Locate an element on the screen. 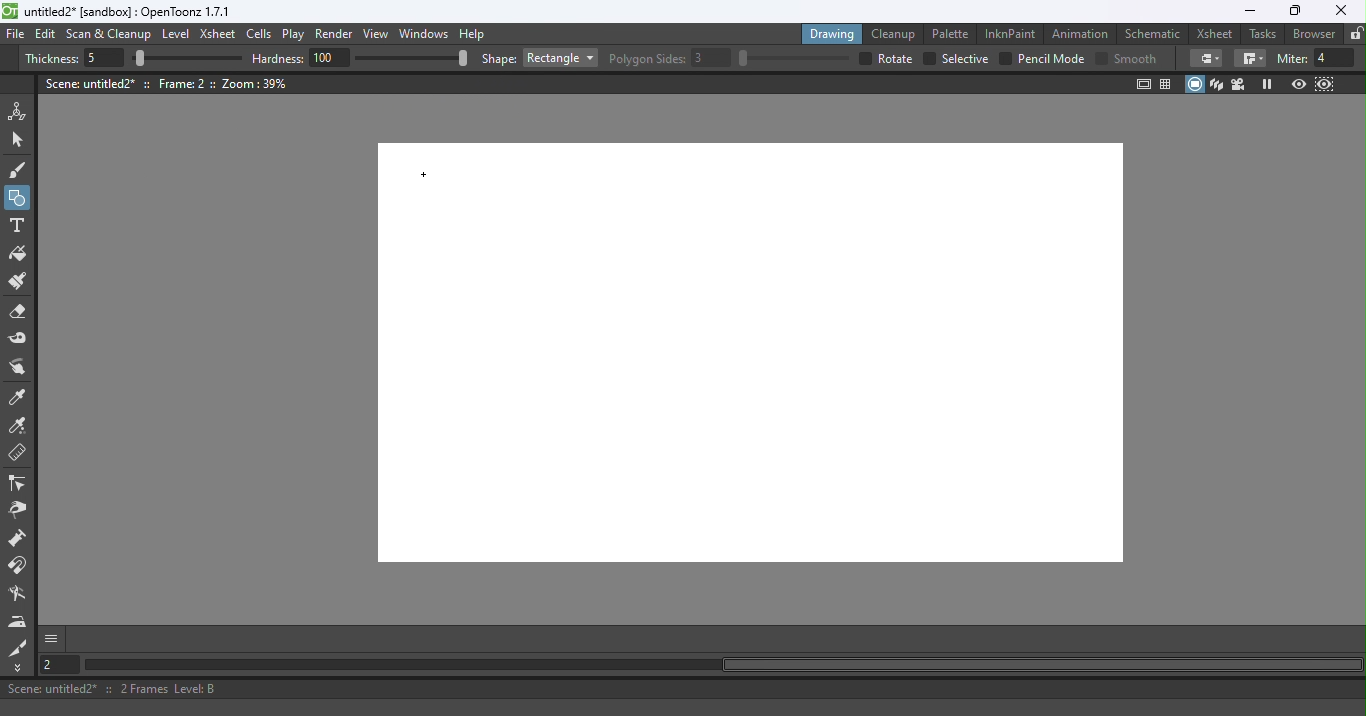 This screenshot has height=716, width=1366. Freeze is located at coordinates (1267, 84).